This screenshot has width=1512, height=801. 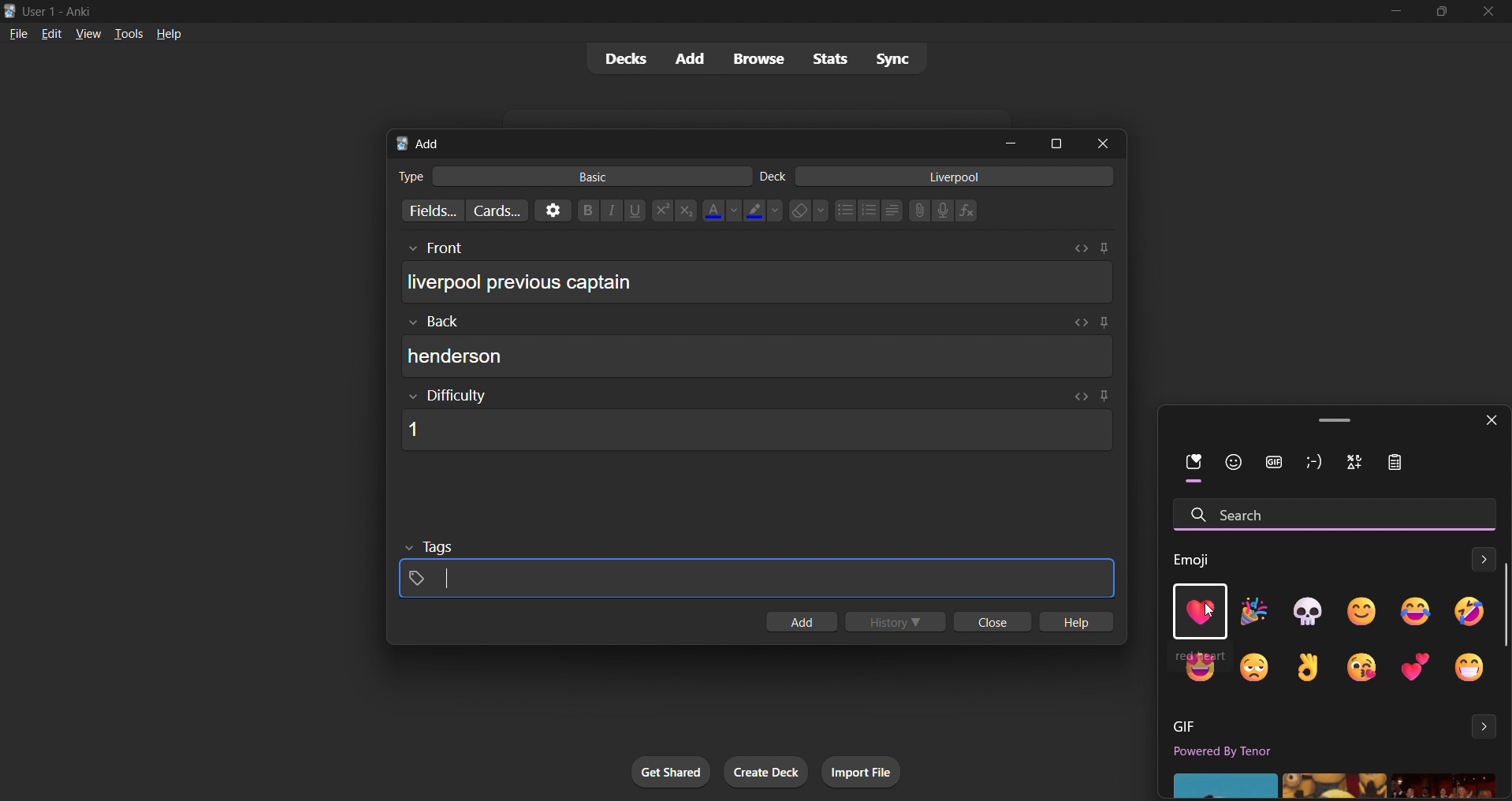 What do you see at coordinates (755, 58) in the screenshot?
I see `browse` at bounding box center [755, 58].